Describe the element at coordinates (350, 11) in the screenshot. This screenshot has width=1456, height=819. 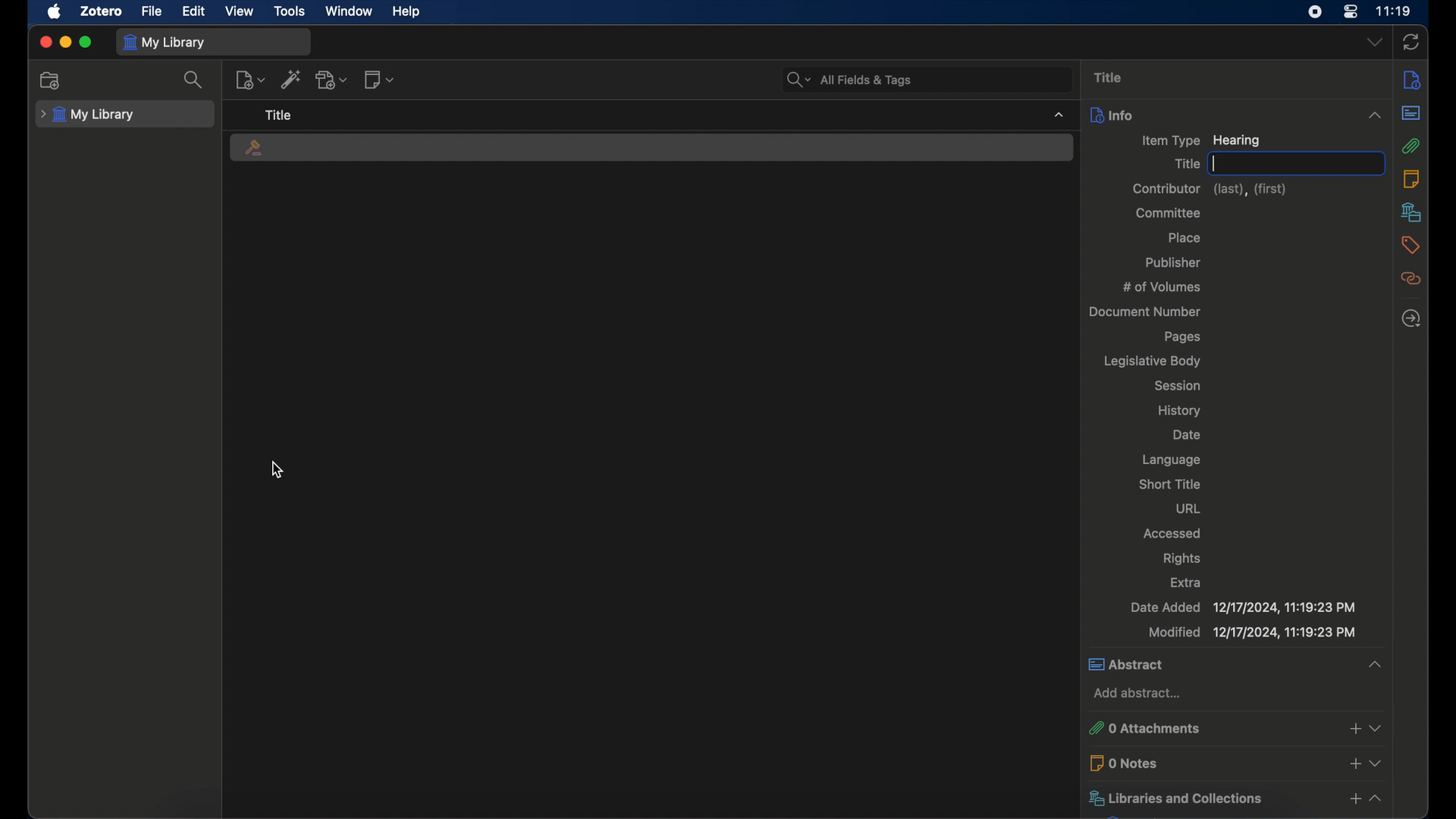
I see `window` at that location.